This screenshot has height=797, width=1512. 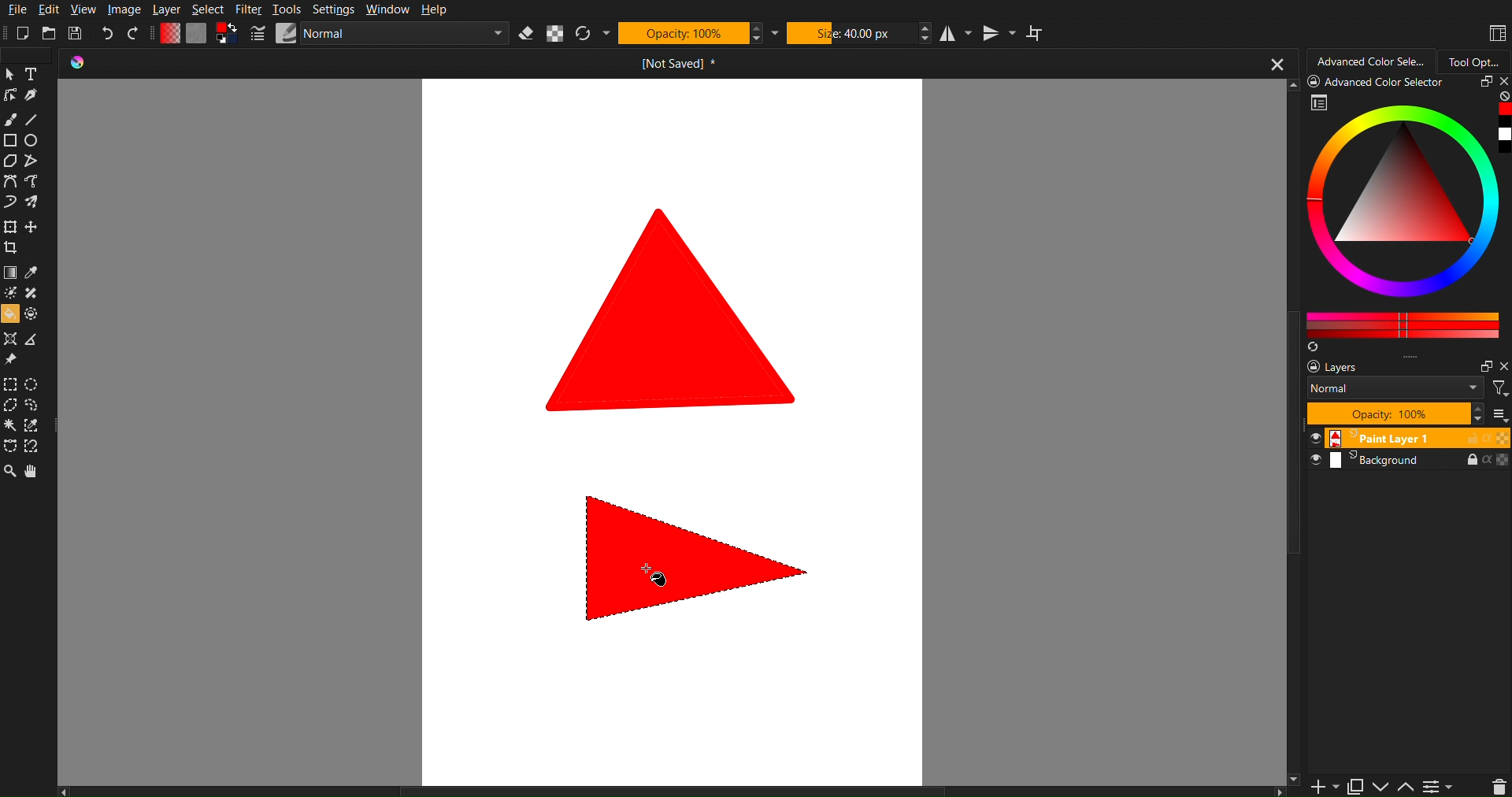 I want to click on filler, so click(x=9, y=316).